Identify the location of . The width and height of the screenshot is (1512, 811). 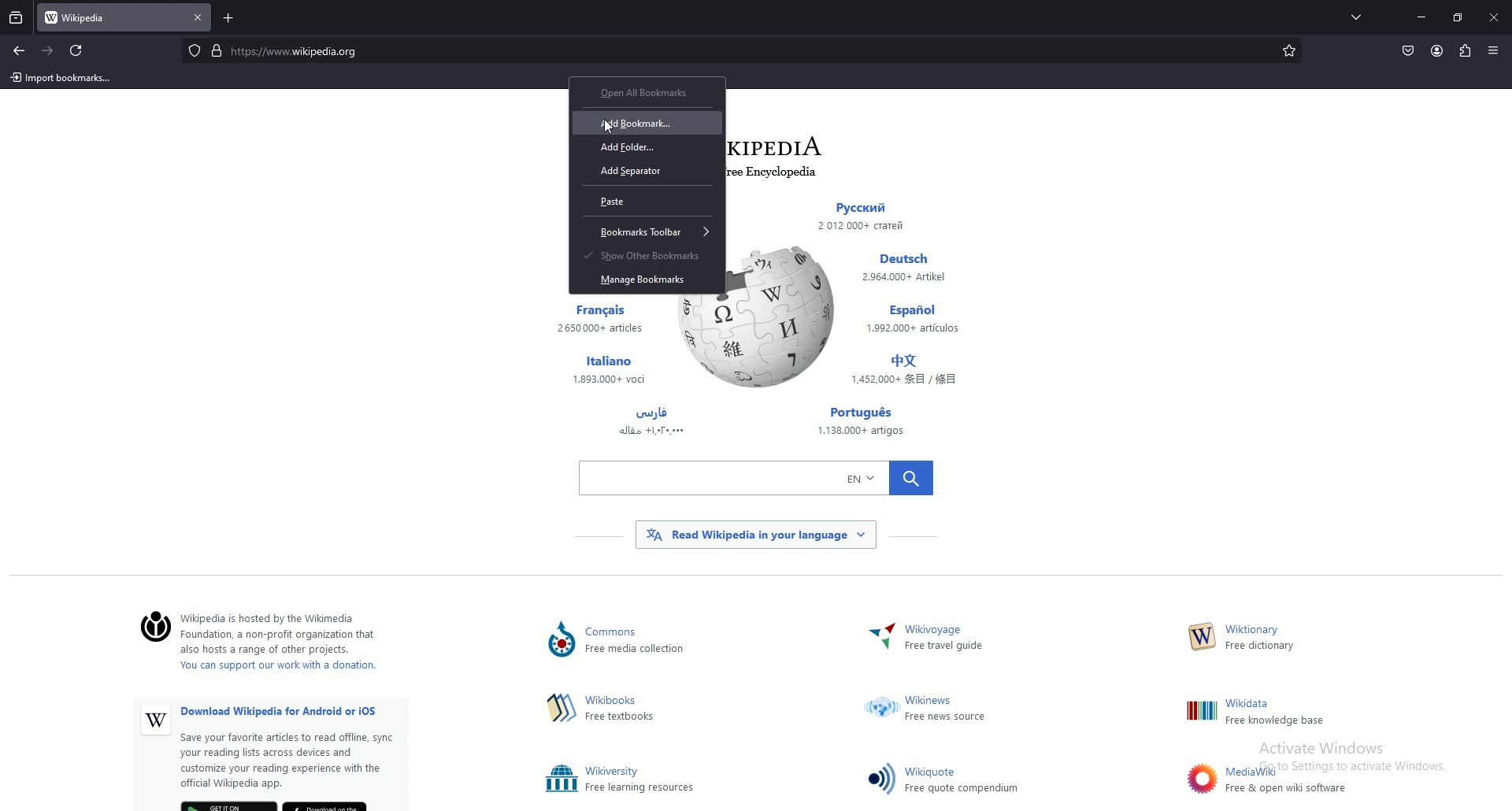
(642, 780).